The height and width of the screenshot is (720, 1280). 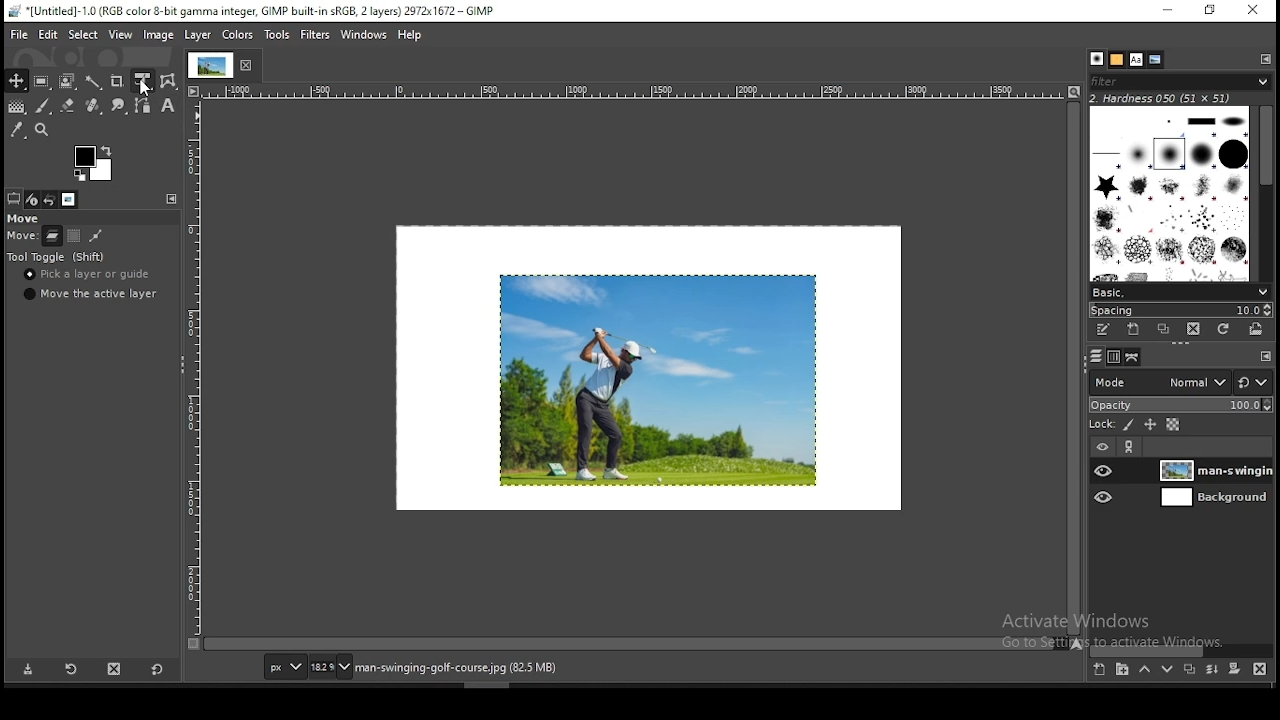 What do you see at coordinates (1179, 309) in the screenshot?
I see `spacing` at bounding box center [1179, 309].